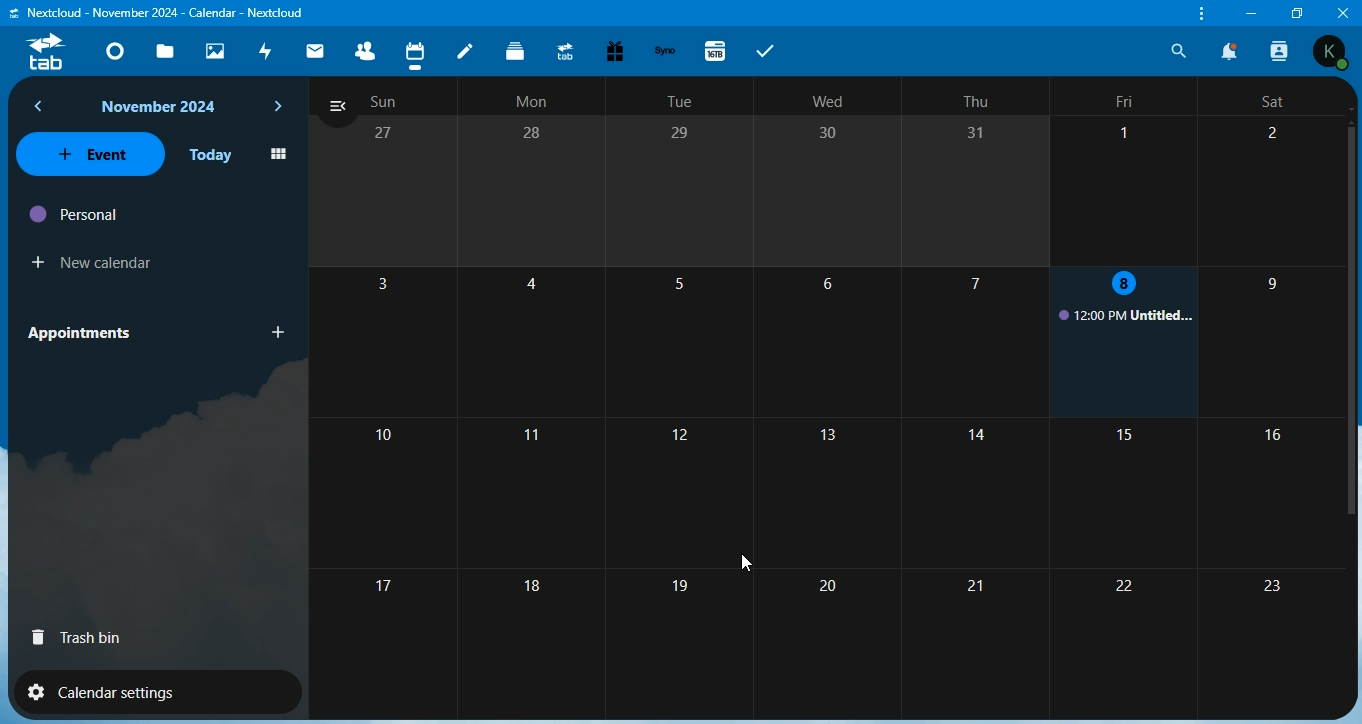 Image resolution: width=1362 pixels, height=724 pixels. I want to click on activity, so click(264, 51).